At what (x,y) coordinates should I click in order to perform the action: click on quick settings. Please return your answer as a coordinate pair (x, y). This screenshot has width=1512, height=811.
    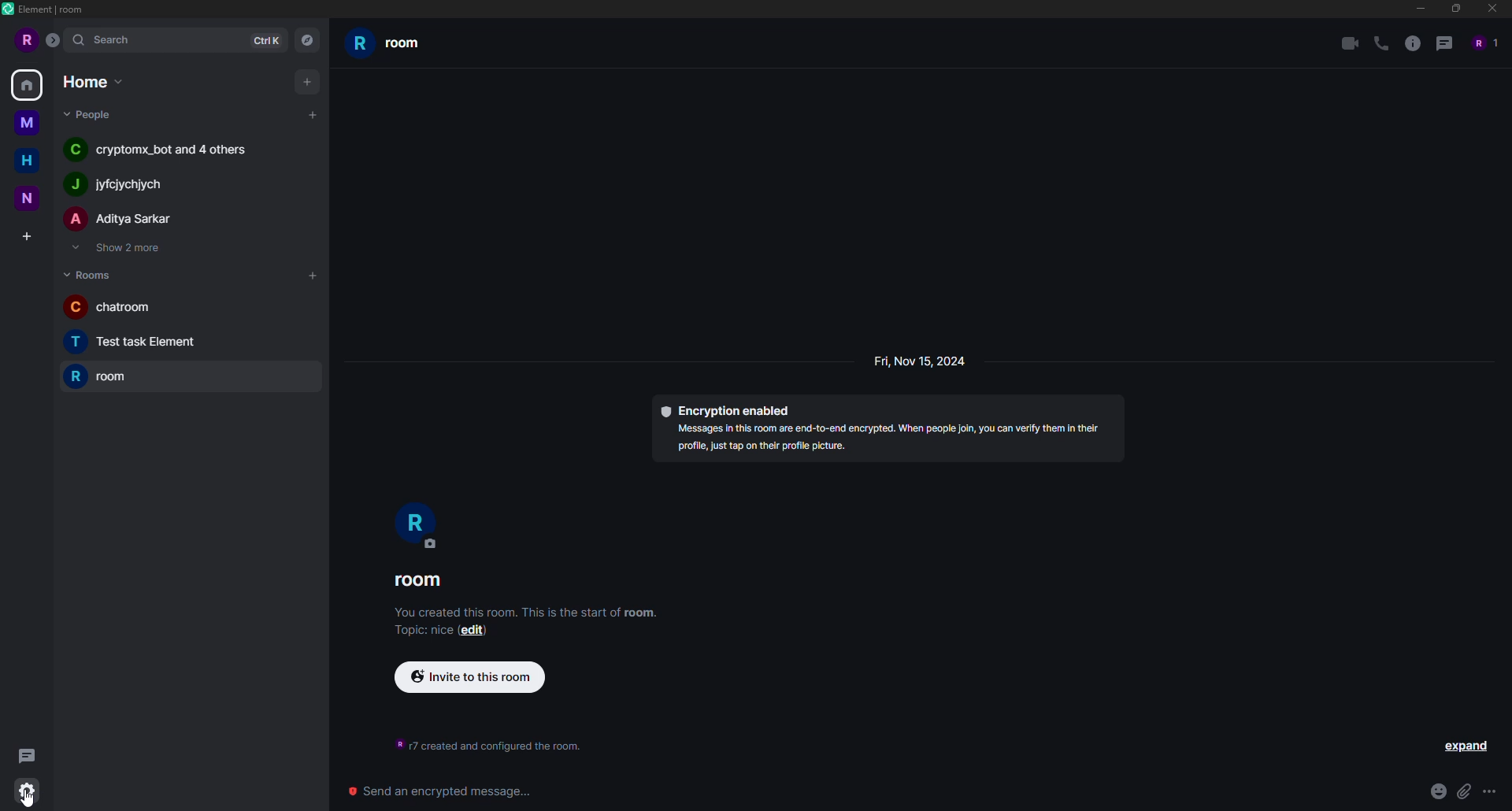
    Looking at the image, I should click on (29, 791).